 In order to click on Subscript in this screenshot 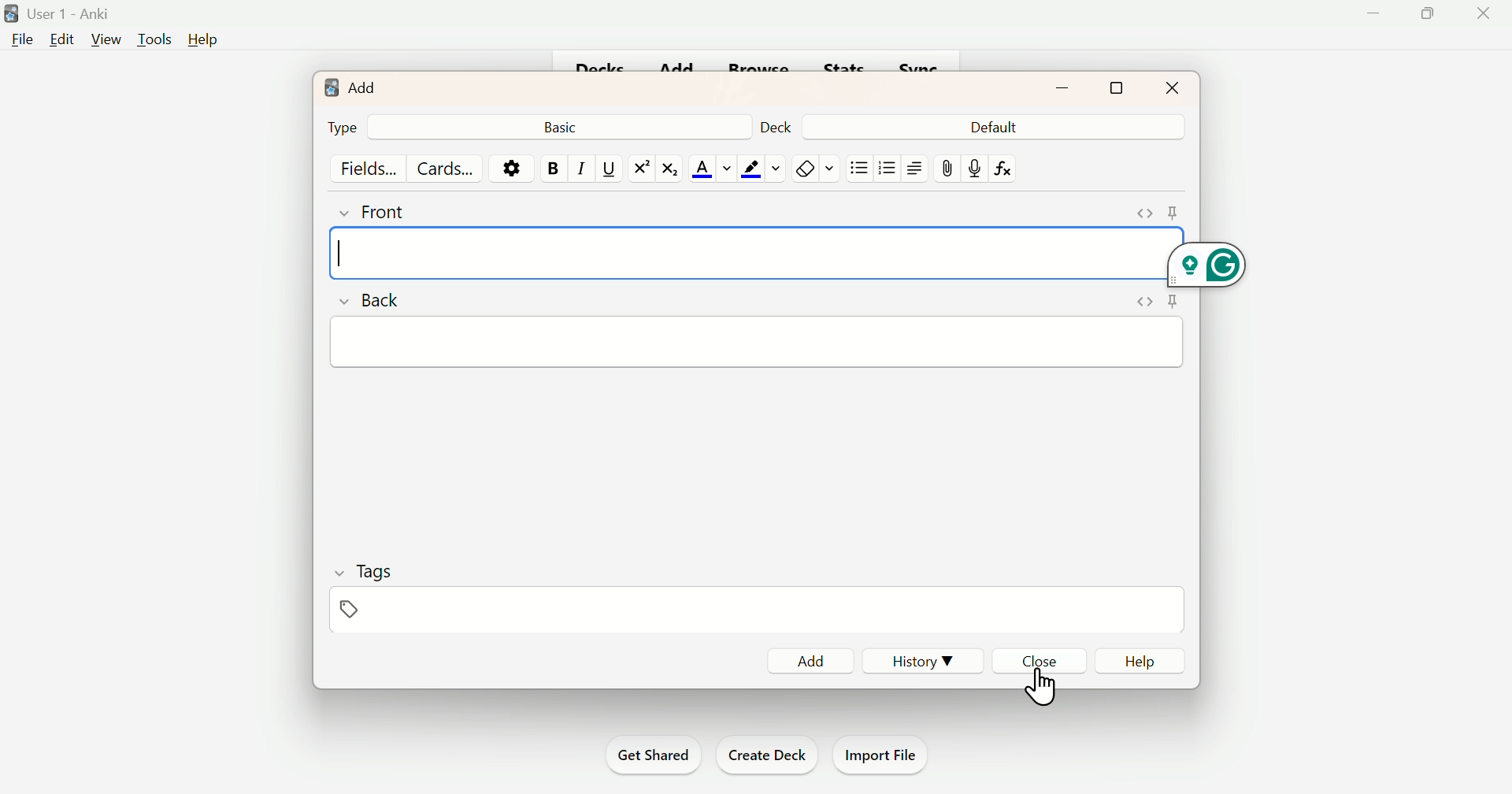, I will do `click(669, 169)`.